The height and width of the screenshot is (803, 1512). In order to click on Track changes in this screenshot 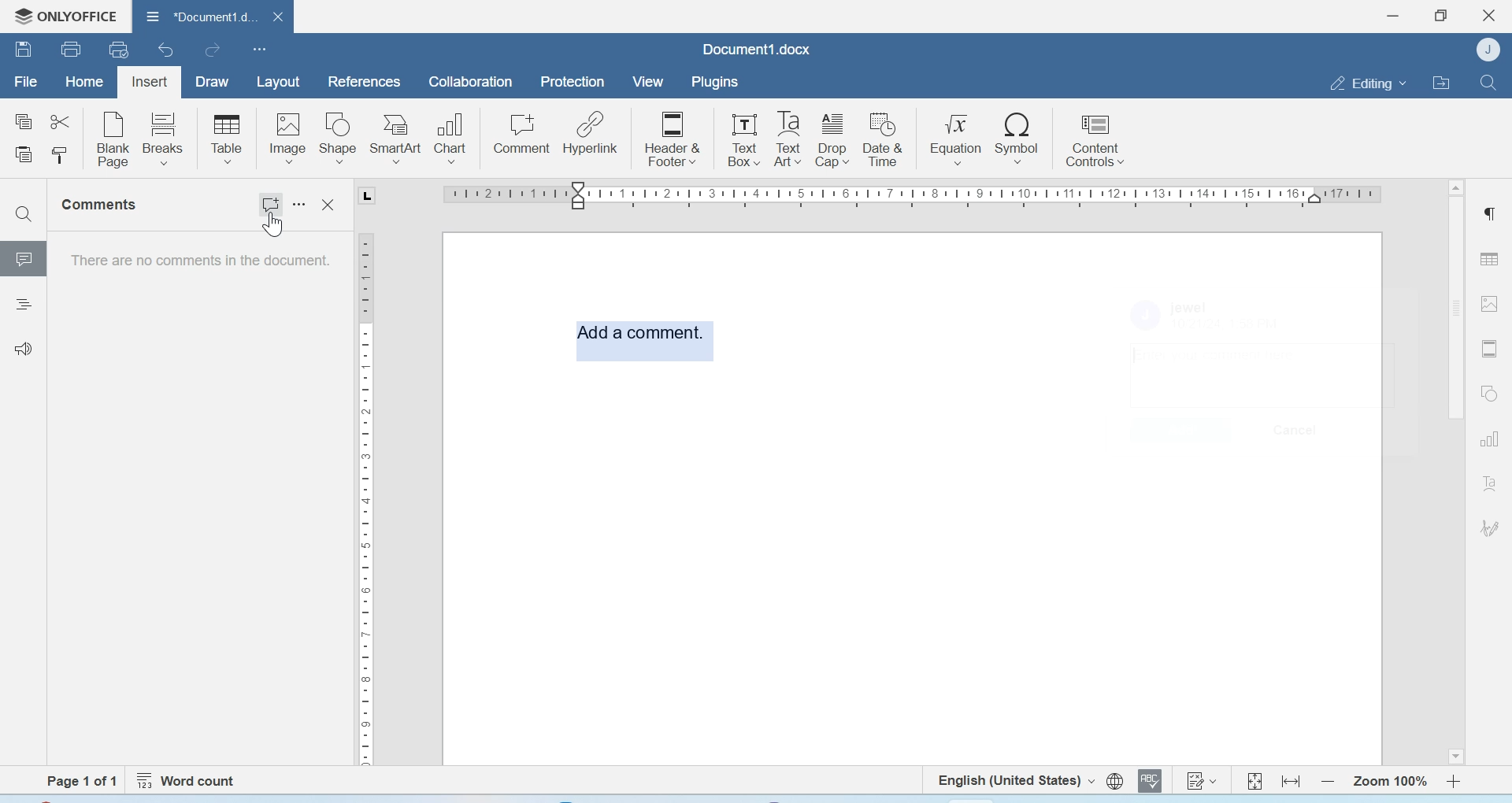, I will do `click(1200, 780)`.